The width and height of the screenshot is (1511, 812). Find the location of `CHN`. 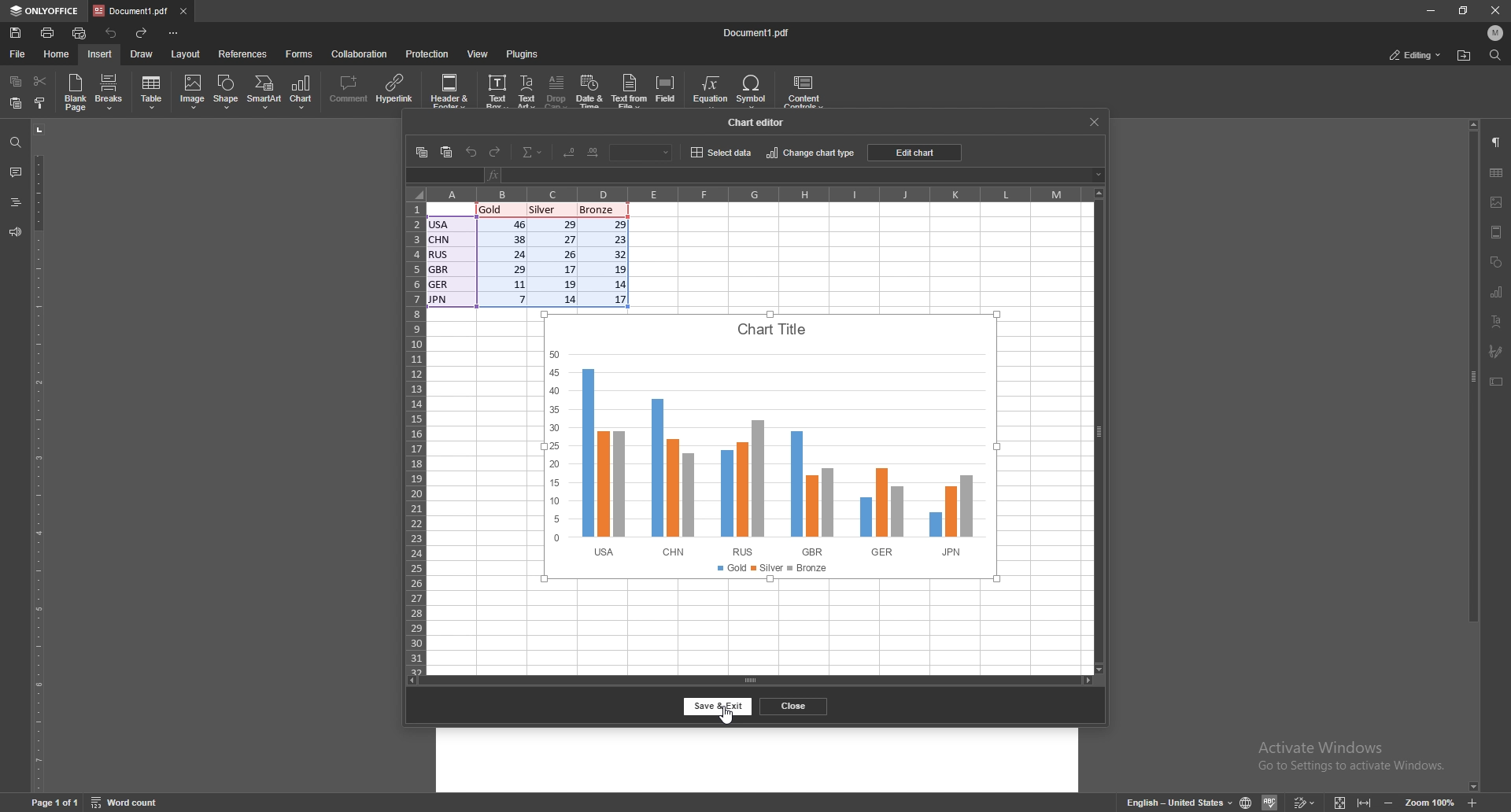

CHN is located at coordinates (441, 239).